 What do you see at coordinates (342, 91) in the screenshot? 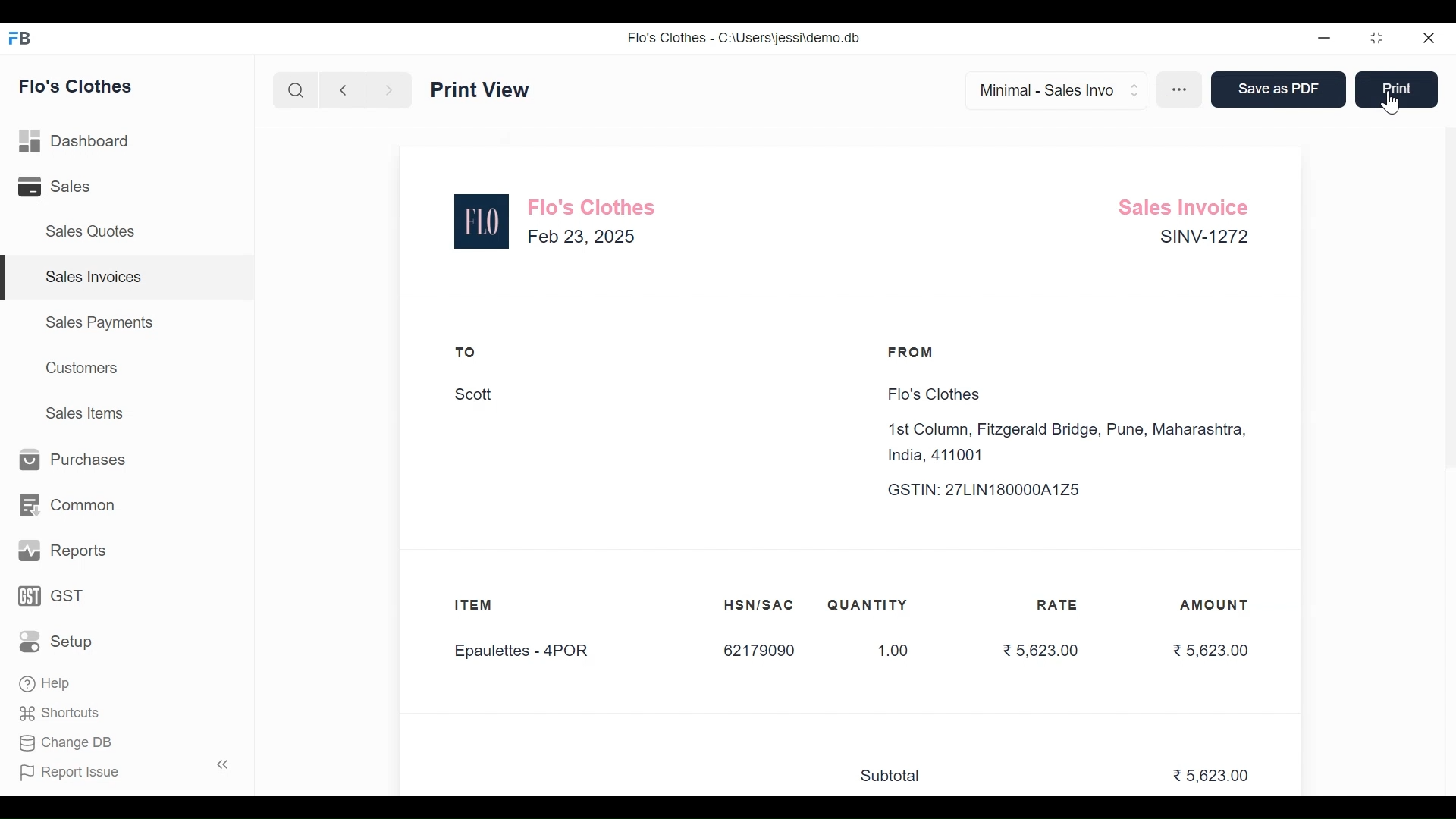
I see `Navigate Back` at bounding box center [342, 91].